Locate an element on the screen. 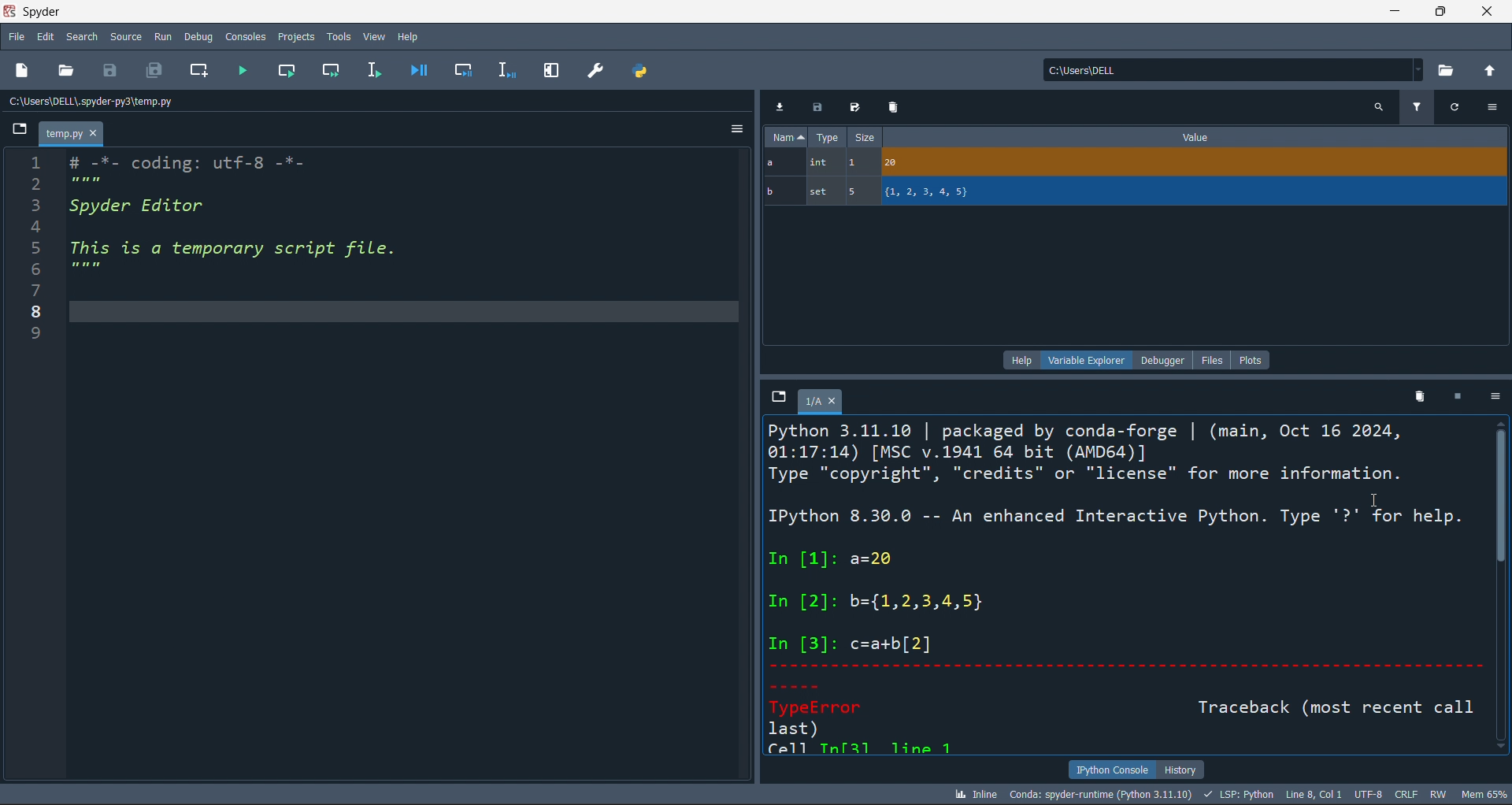 This screenshot has height=805, width=1512. options is located at coordinates (1493, 107).